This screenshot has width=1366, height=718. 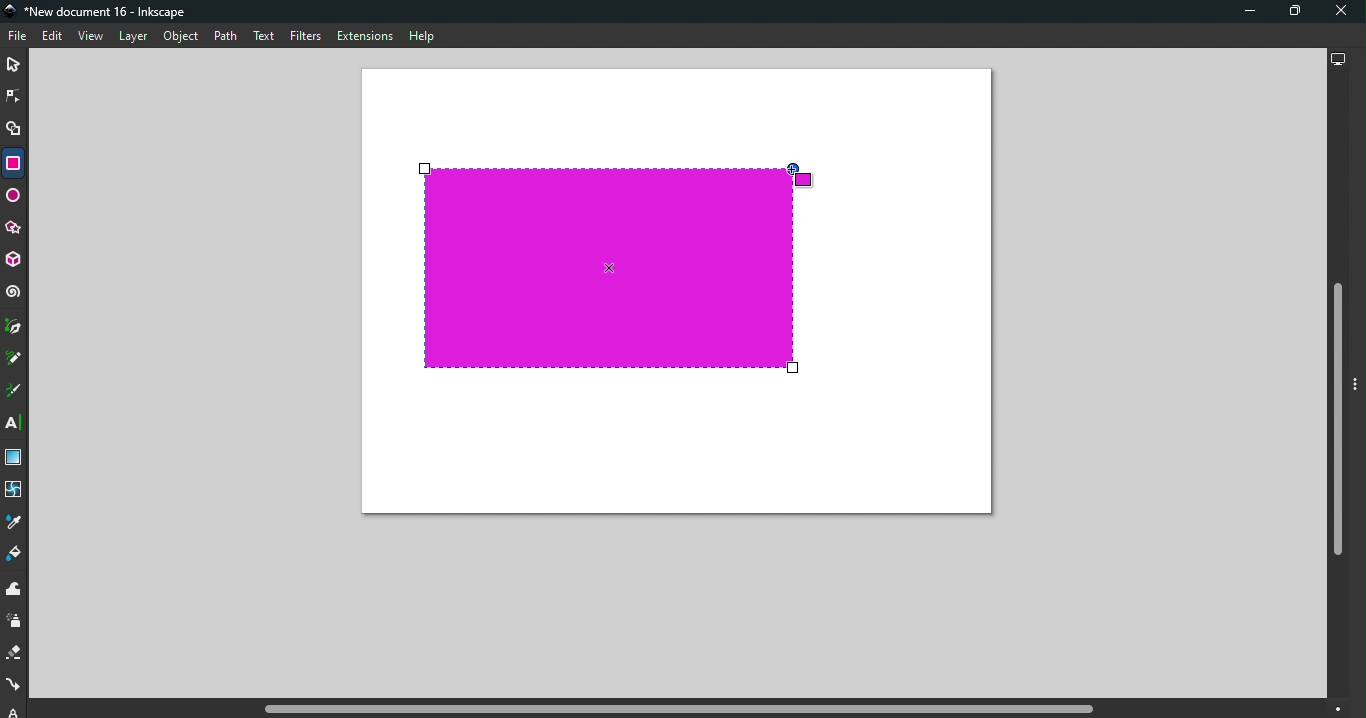 I want to click on Toggle command panel, so click(x=1358, y=386).